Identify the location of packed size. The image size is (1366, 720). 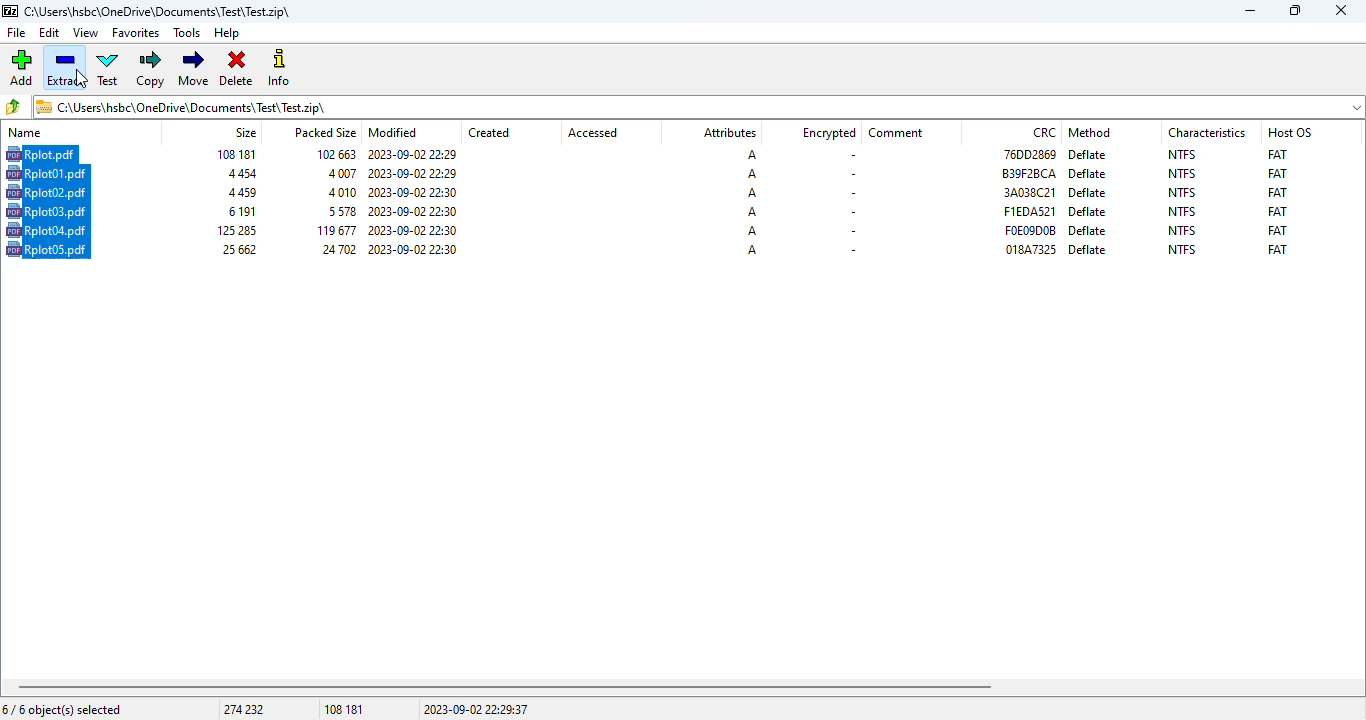
(340, 173).